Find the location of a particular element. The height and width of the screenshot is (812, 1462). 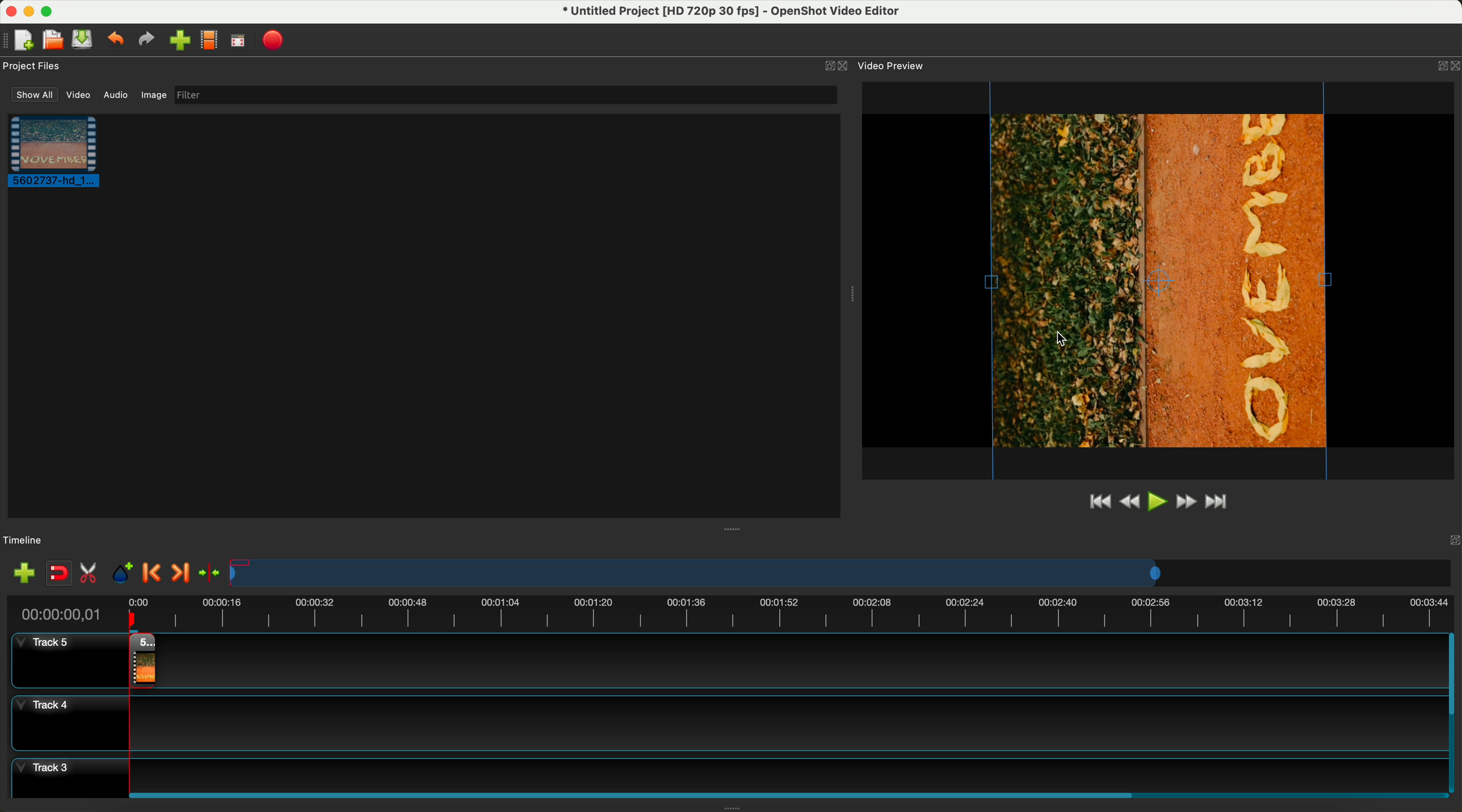

add track is located at coordinates (24, 573).